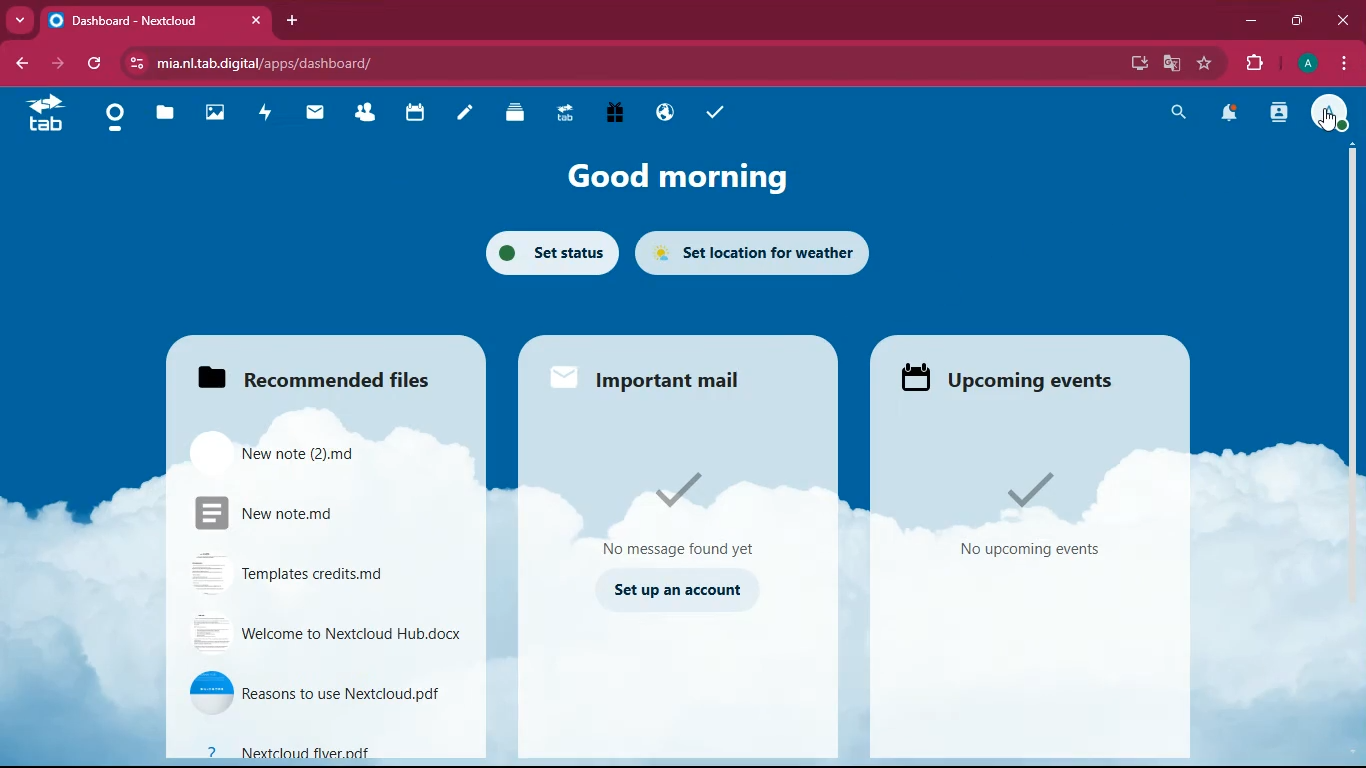 This screenshot has width=1366, height=768. I want to click on tab, so click(137, 20).